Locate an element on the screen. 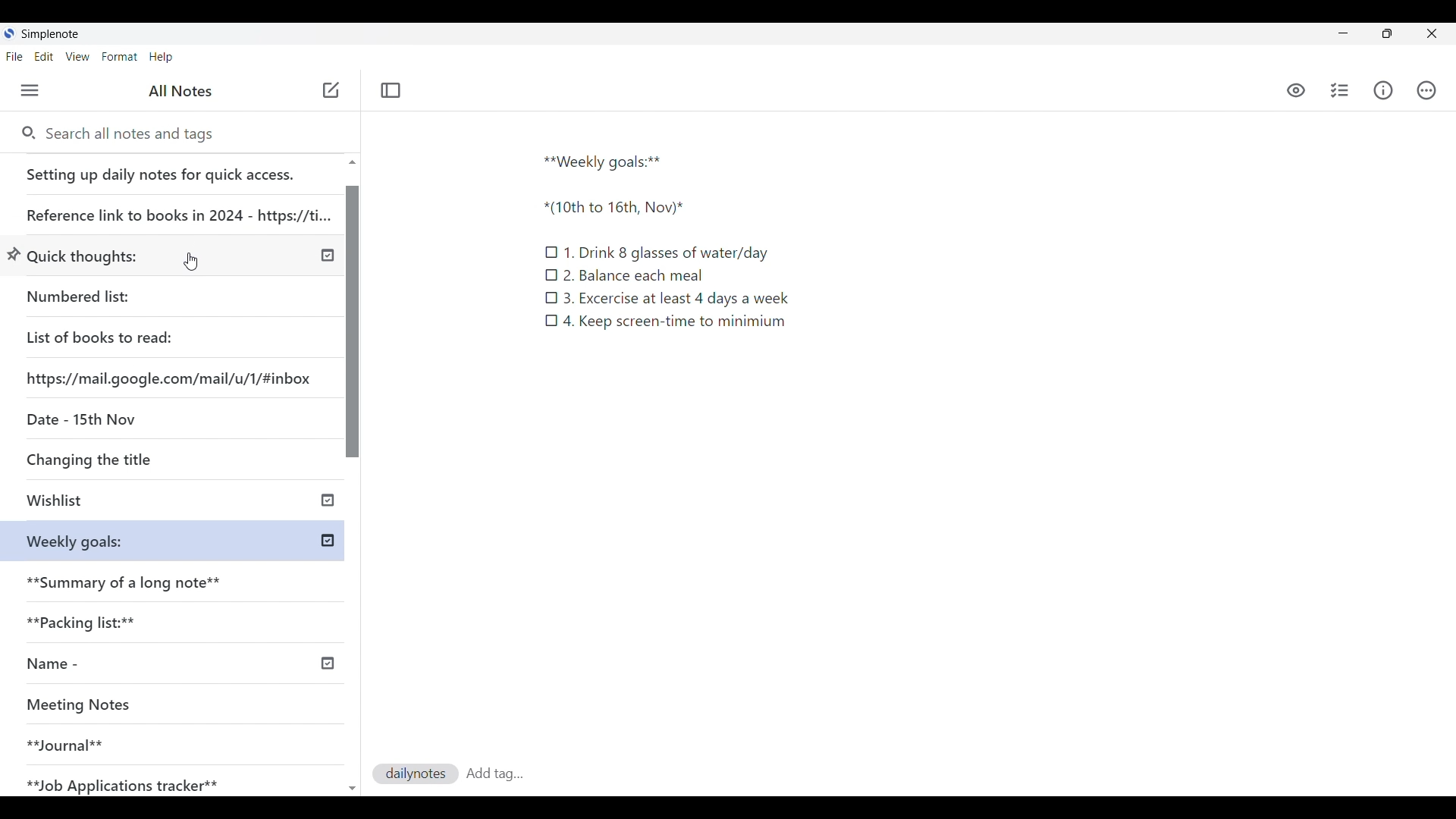 The height and width of the screenshot is (819, 1456). Toggle focus mode is located at coordinates (391, 91).